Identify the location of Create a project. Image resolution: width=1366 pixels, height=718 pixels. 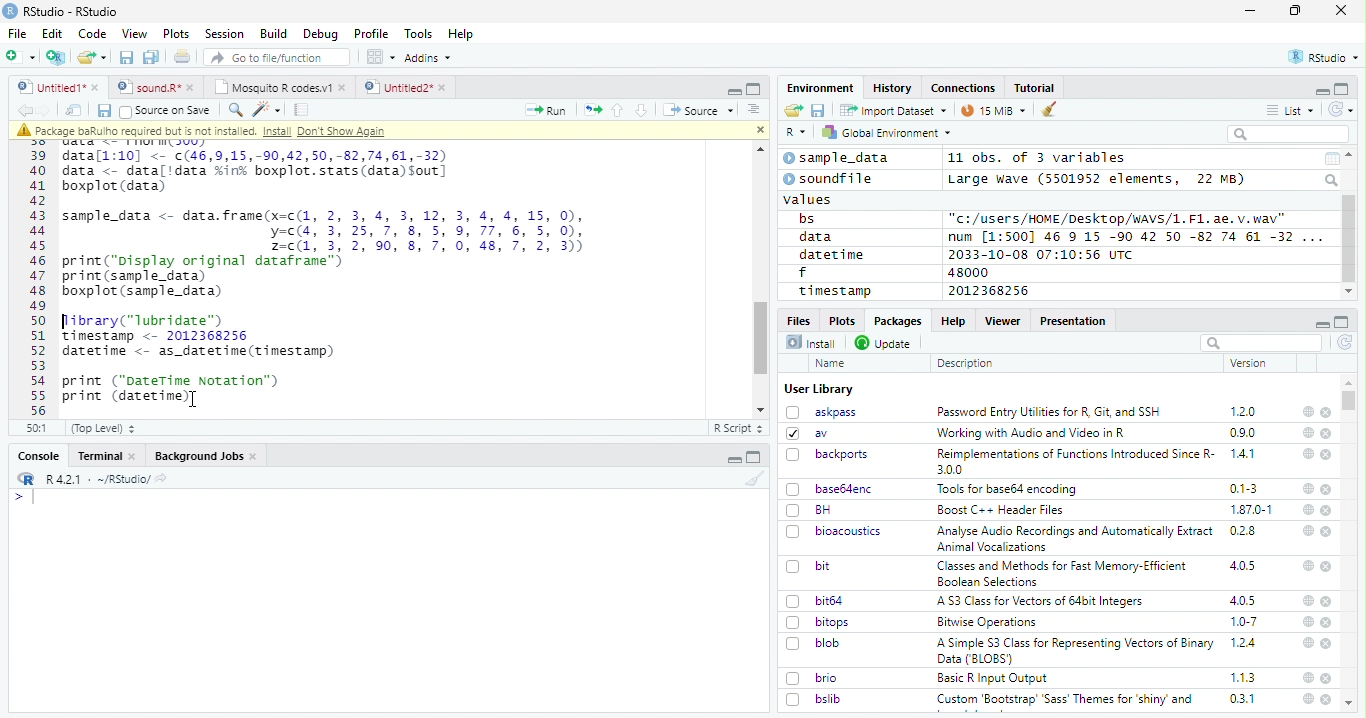
(56, 57).